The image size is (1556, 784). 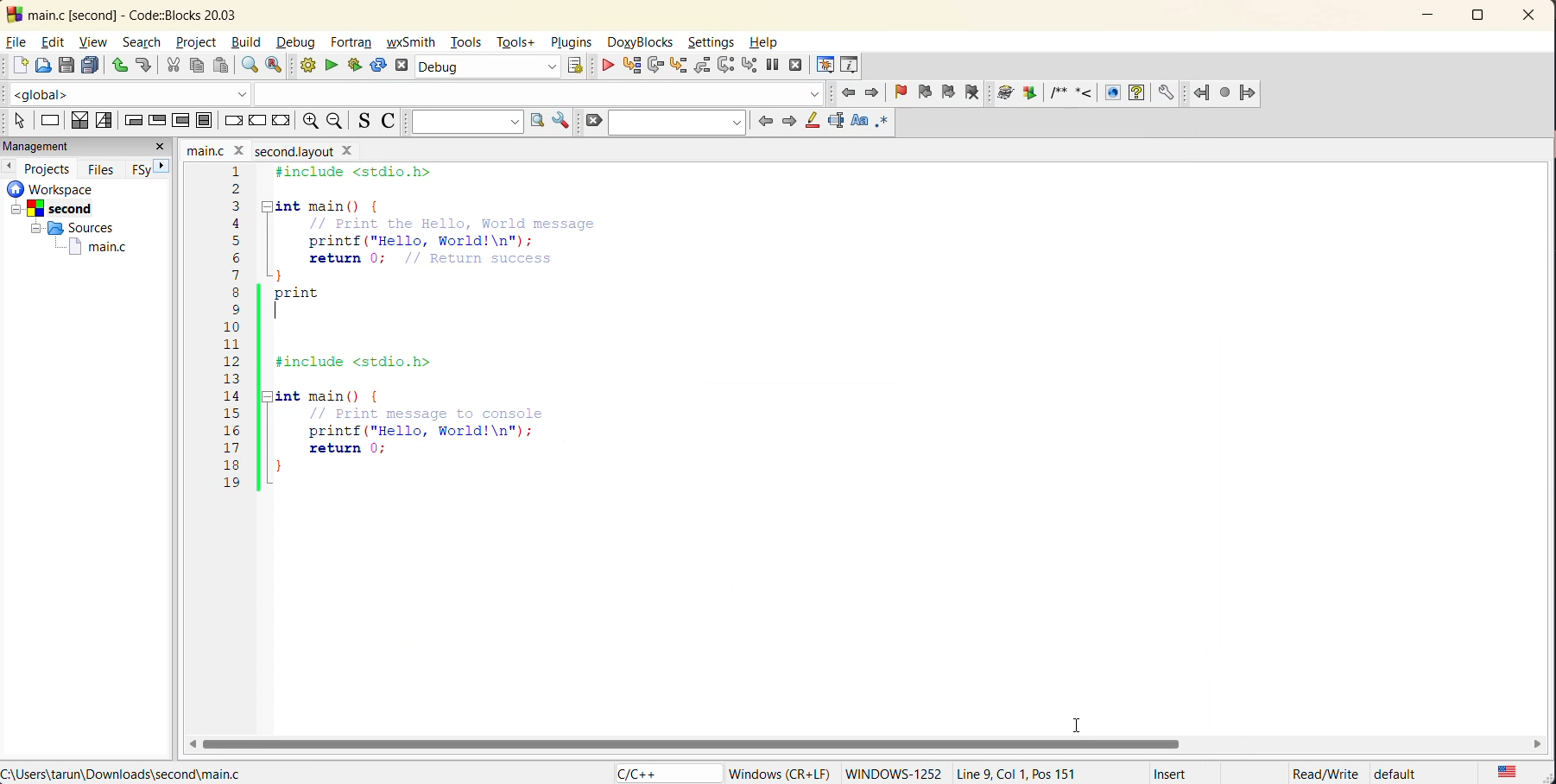 I want to click on doxyblocks, so click(x=642, y=41).